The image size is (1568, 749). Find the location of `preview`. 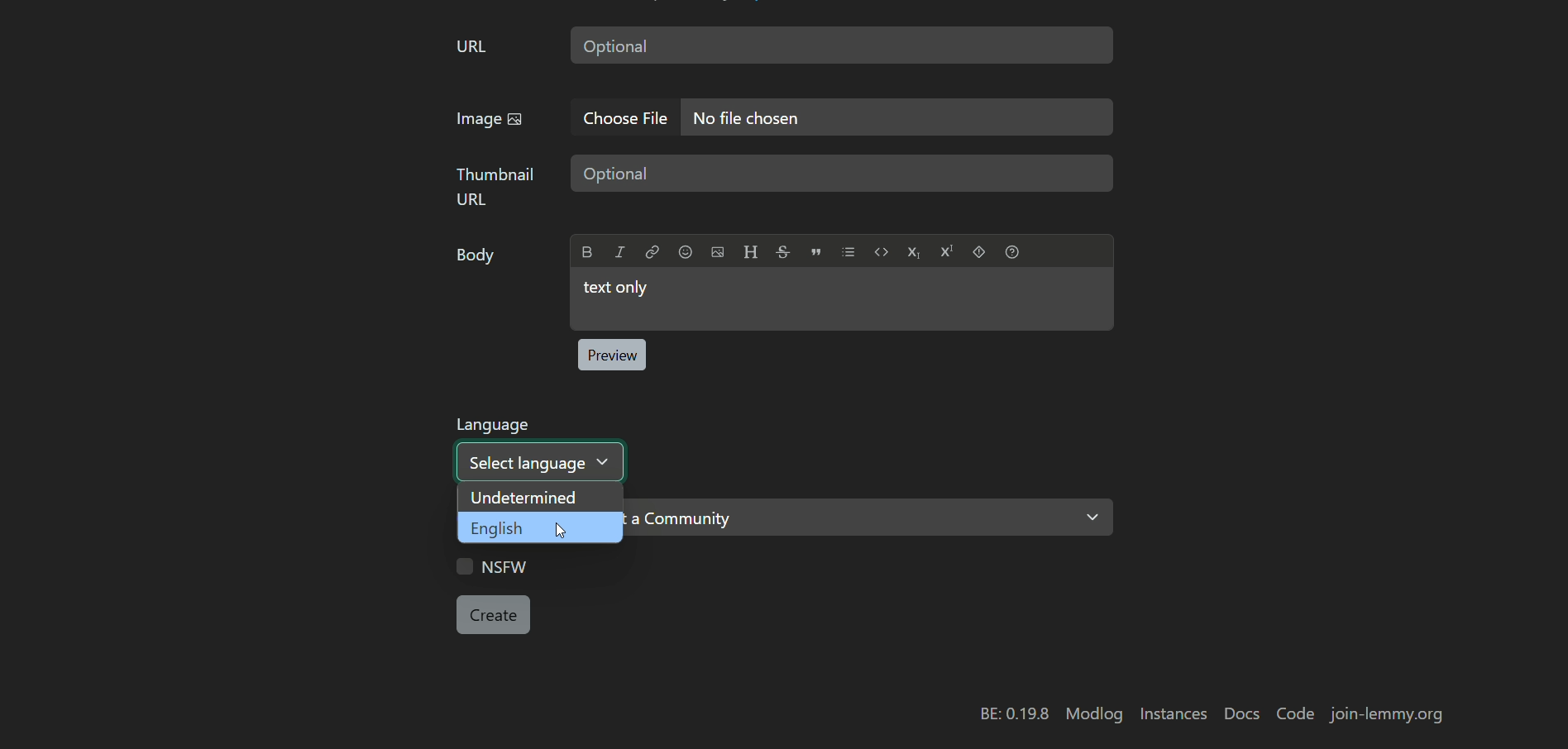

preview is located at coordinates (611, 355).